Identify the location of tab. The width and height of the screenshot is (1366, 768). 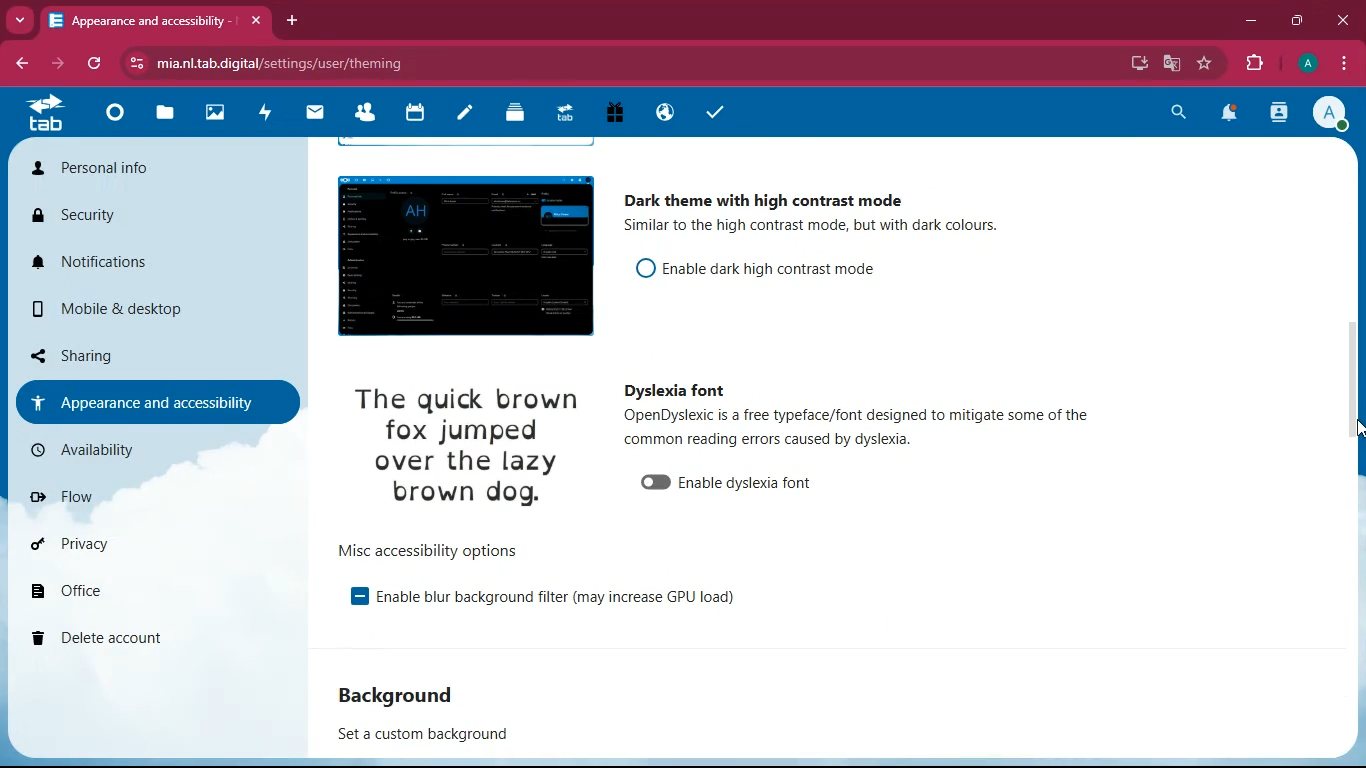
(155, 23).